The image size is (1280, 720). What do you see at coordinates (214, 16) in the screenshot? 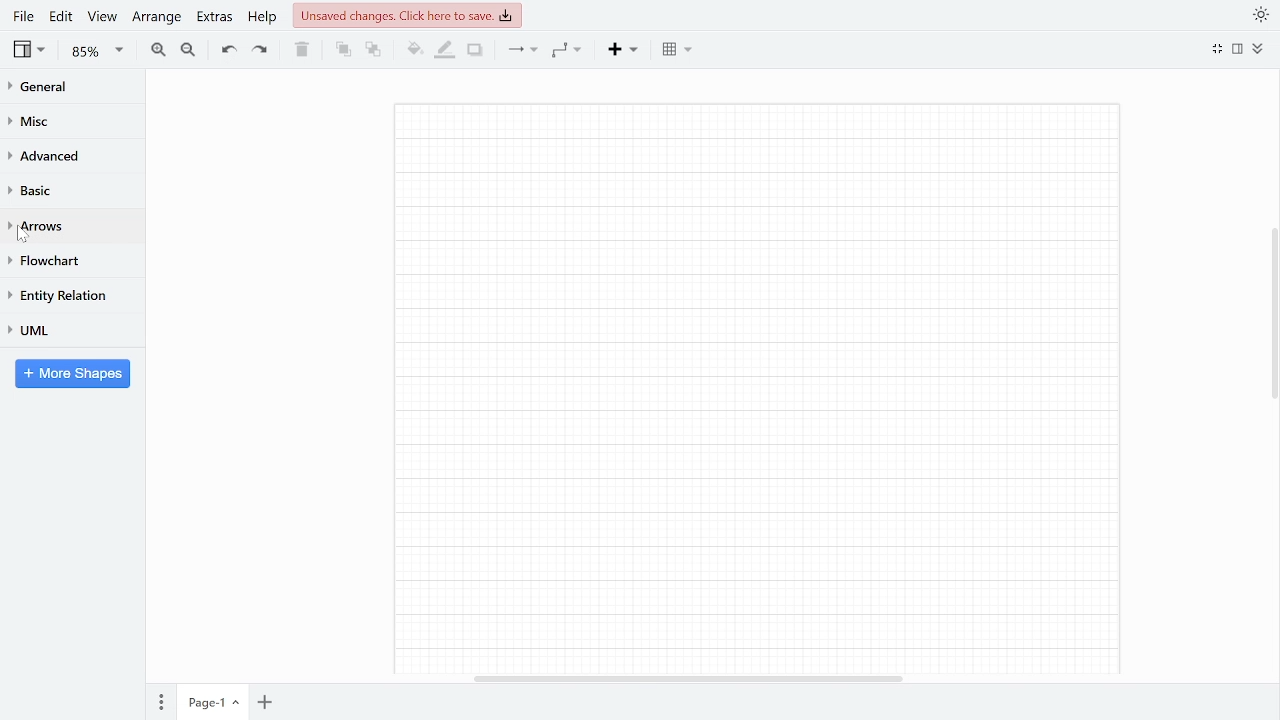
I see `Extras` at bounding box center [214, 16].